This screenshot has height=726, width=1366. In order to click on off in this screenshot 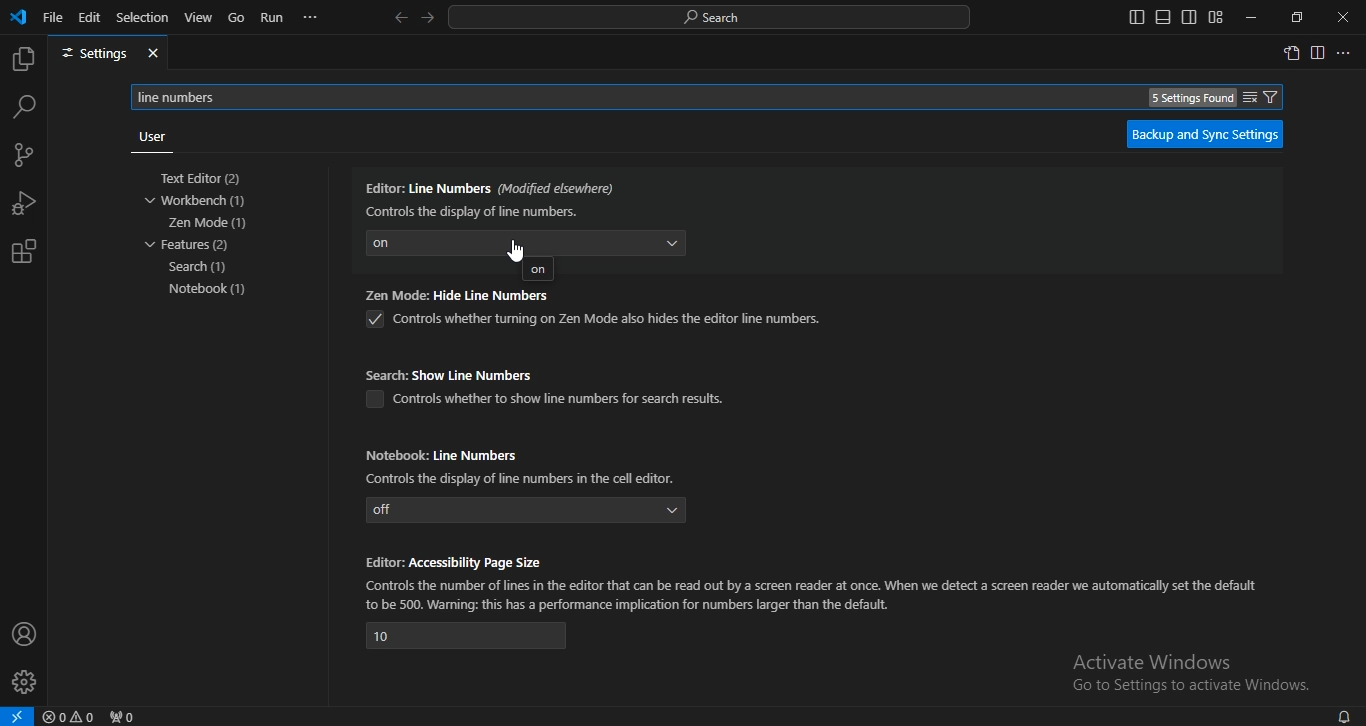, I will do `click(527, 510)`.